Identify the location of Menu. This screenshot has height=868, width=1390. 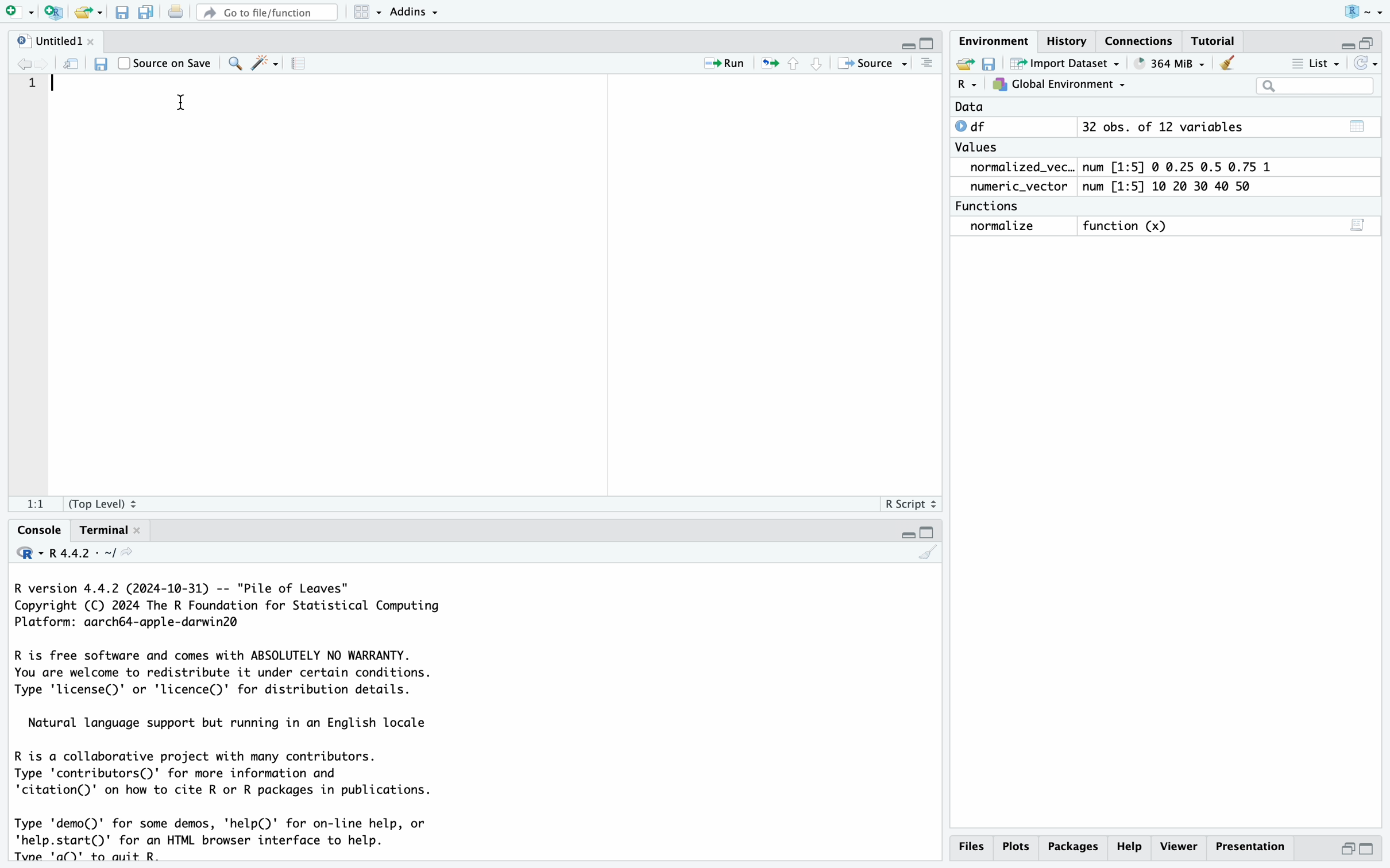
(368, 12).